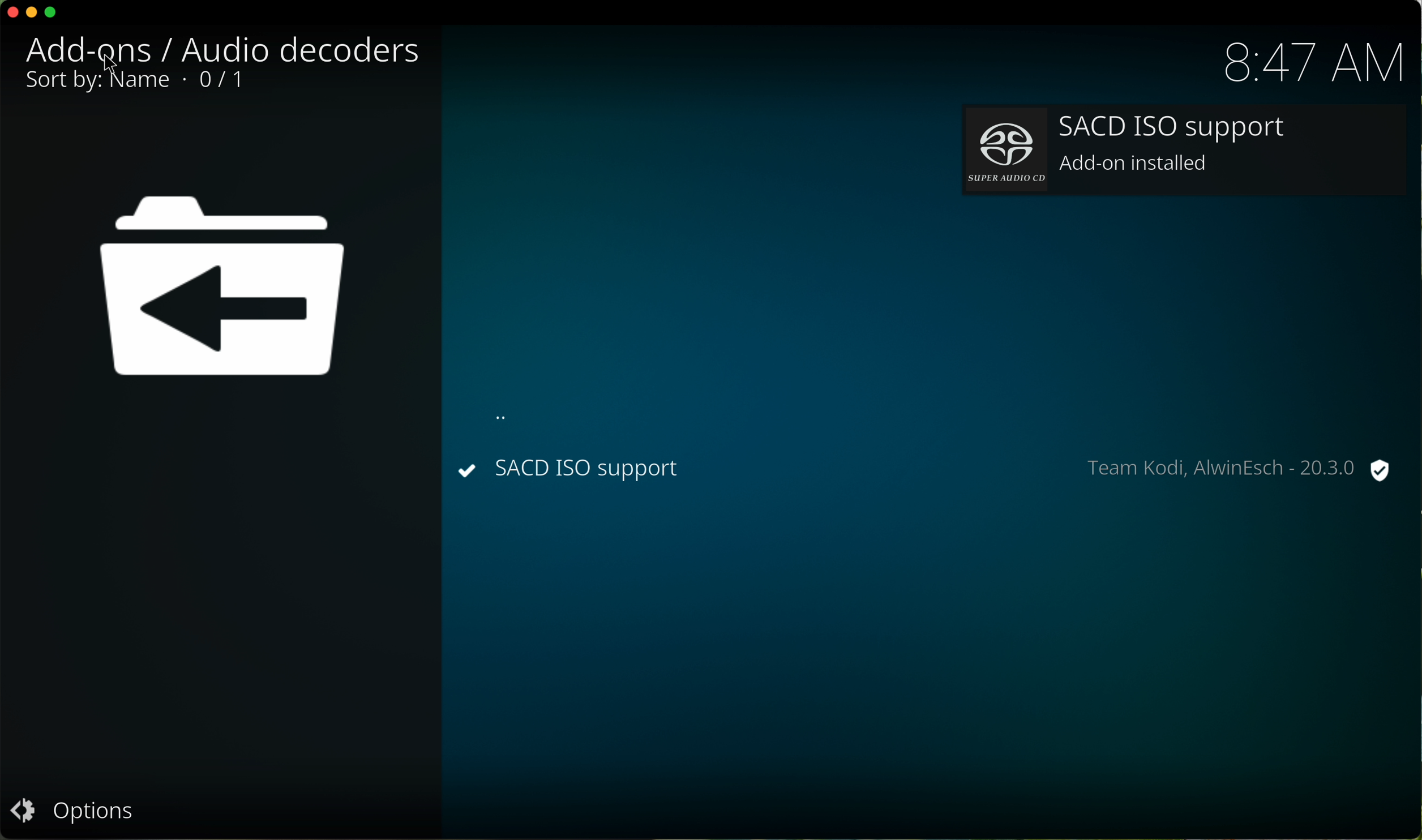 This screenshot has width=1422, height=840. What do you see at coordinates (1193, 151) in the screenshot?
I see `add-on installed` at bounding box center [1193, 151].